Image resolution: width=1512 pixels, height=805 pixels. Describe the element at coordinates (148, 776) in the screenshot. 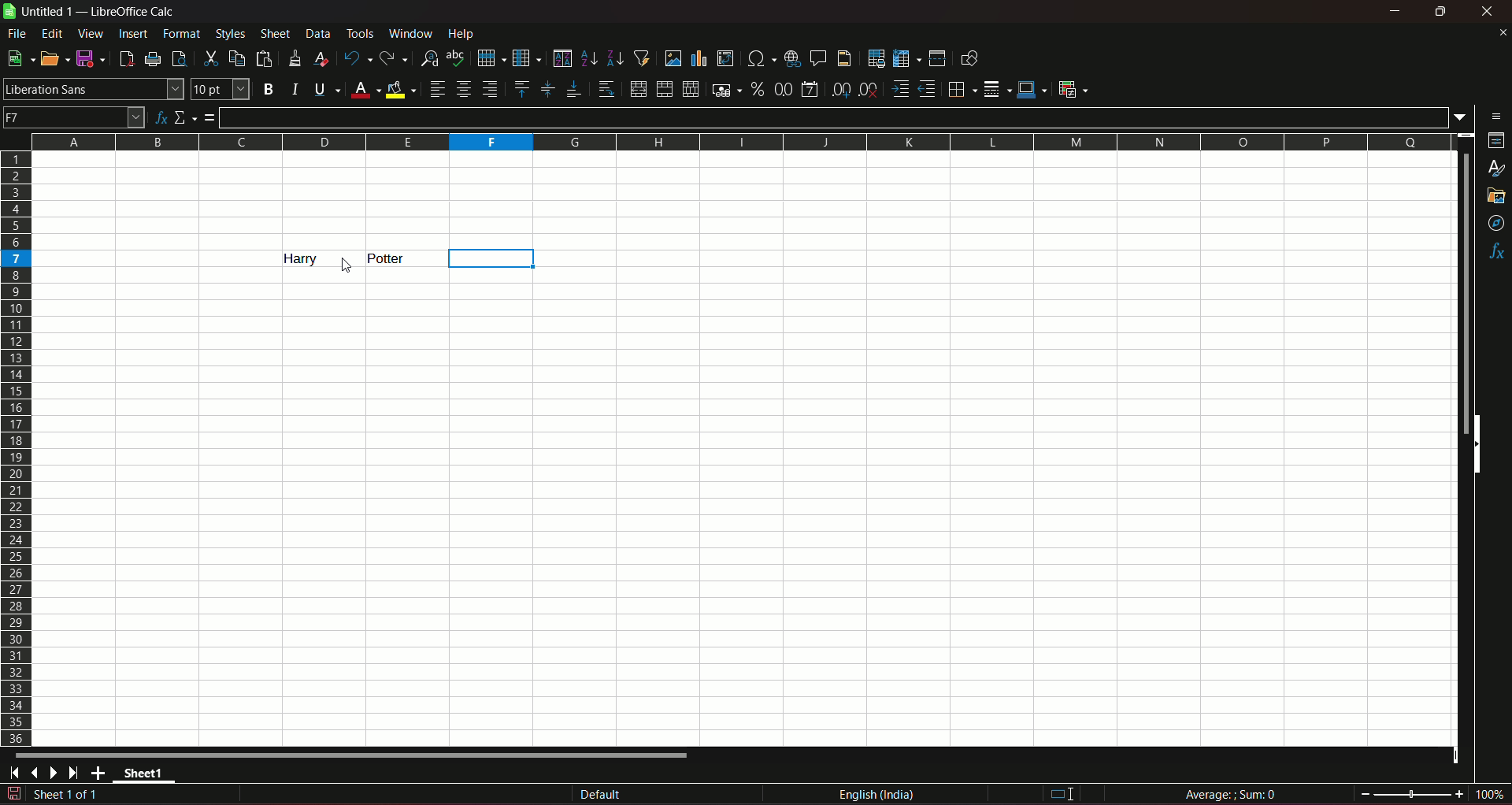

I see `sheet name` at that location.